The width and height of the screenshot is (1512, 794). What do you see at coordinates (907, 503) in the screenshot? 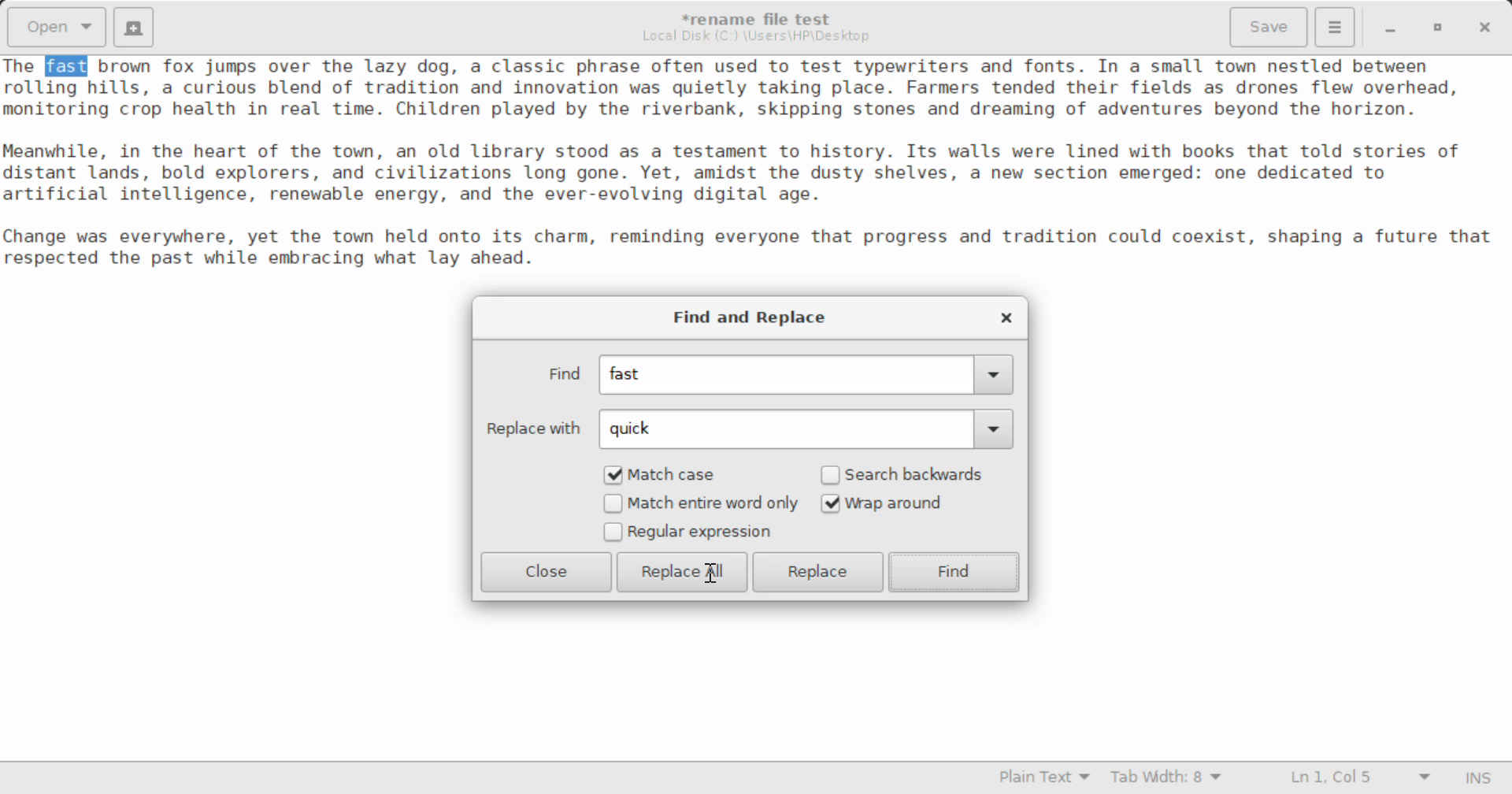
I see `Wrap around` at bounding box center [907, 503].